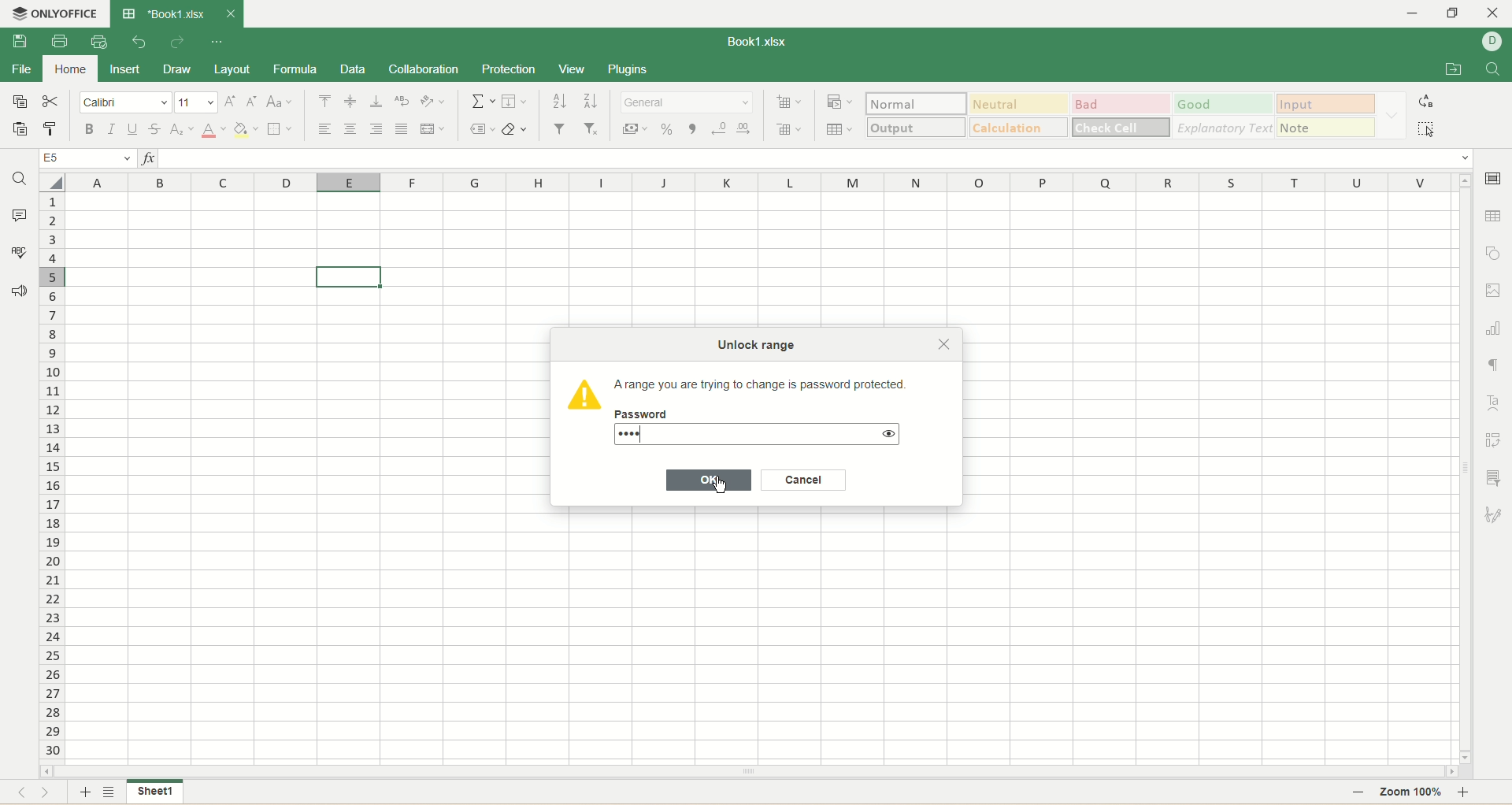 This screenshot has width=1512, height=805. What do you see at coordinates (142, 43) in the screenshot?
I see `undo` at bounding box center [142, 43].